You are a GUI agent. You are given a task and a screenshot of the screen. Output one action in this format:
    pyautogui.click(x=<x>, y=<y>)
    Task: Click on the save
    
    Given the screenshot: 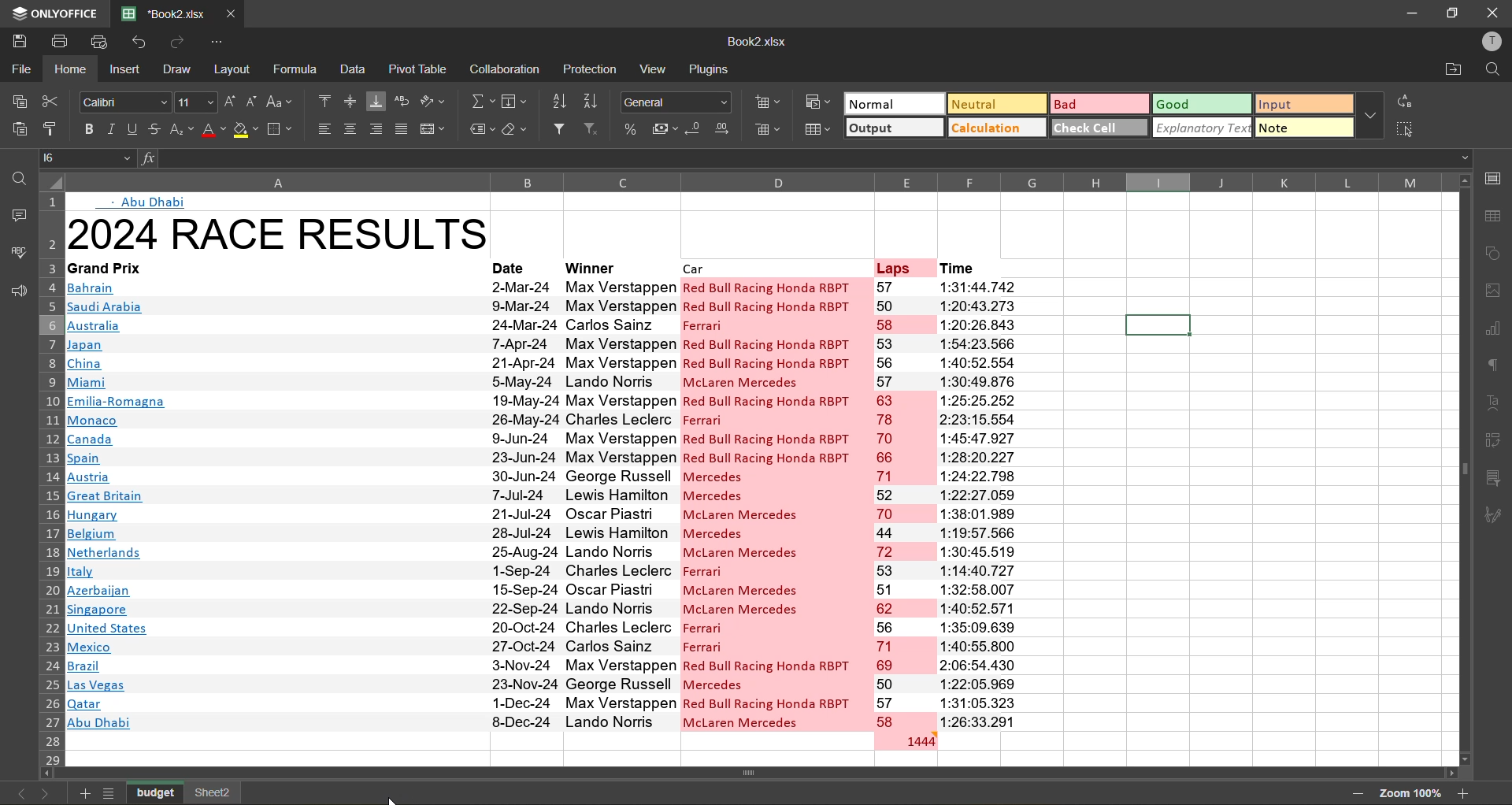 What is the action you would take?
    pyautogui.click(x=17, y=39)
    